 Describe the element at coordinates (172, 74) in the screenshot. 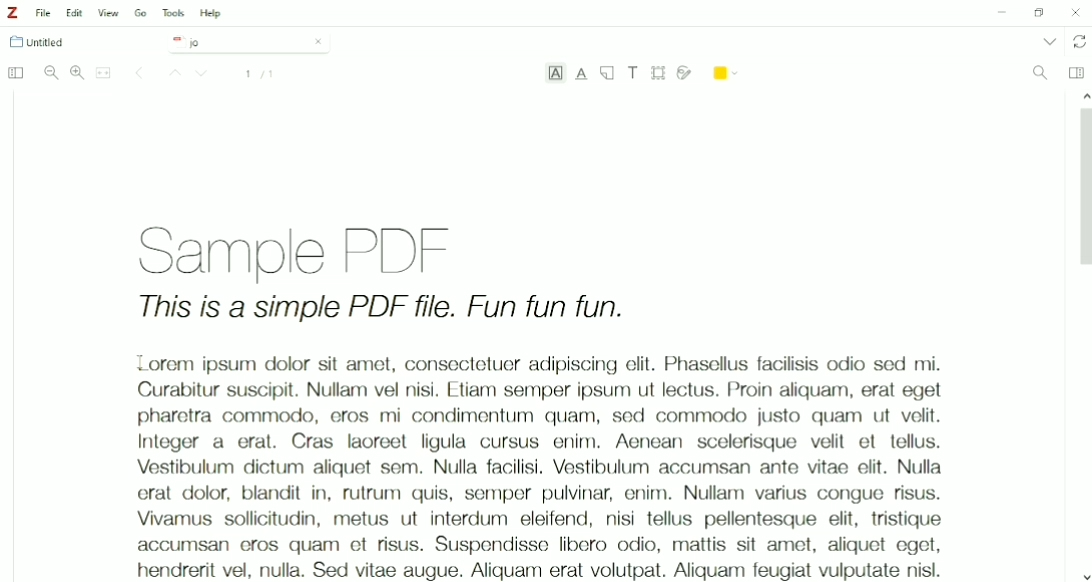

I see `Up` at that location.